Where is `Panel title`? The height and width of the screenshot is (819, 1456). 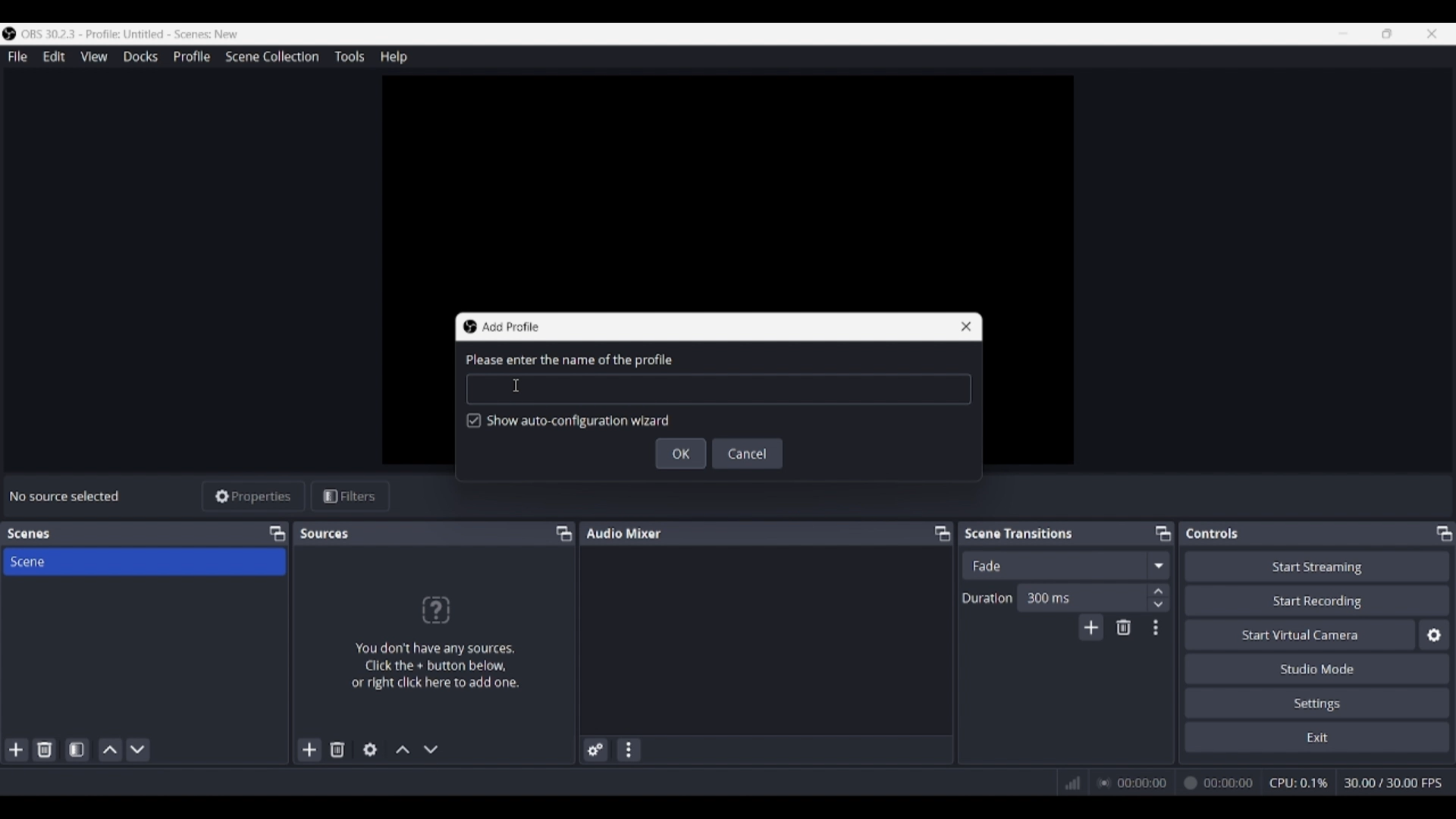 Panel title is located at coordinates (1213, 533).